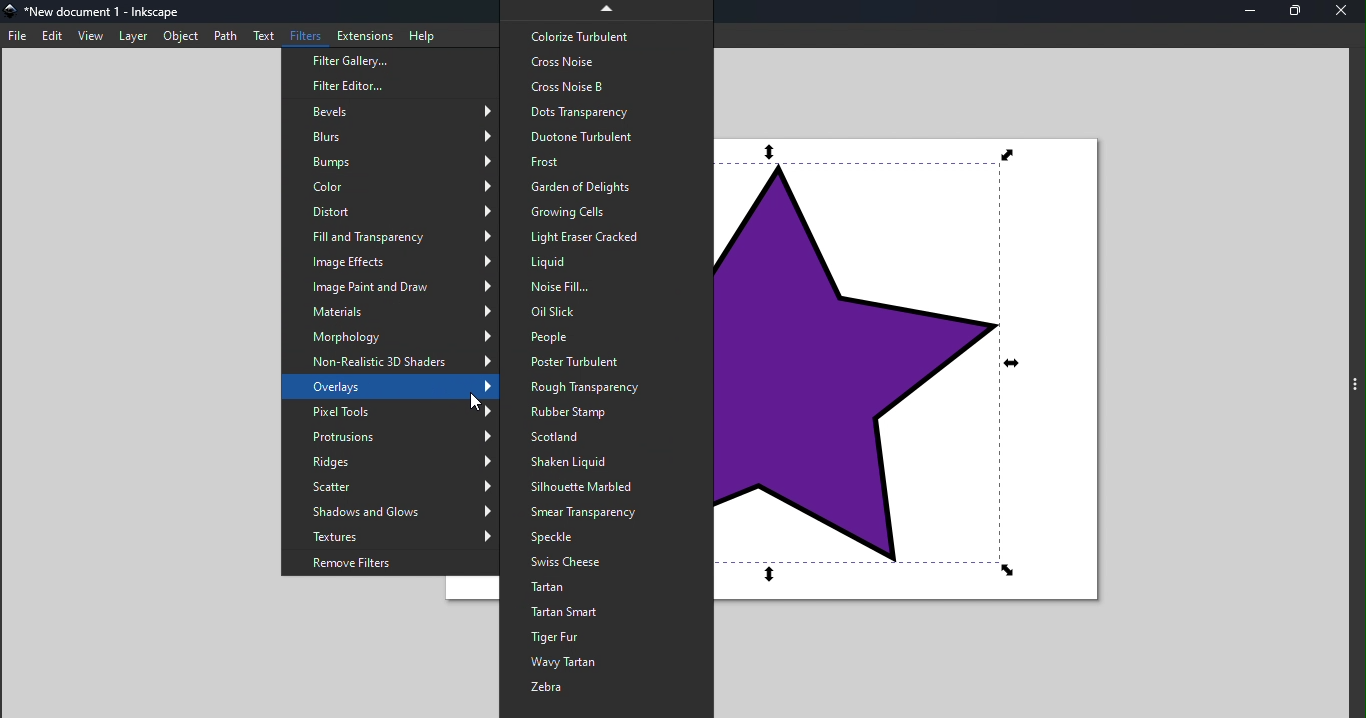 This screenshot has width=1366, height=718. What do you see at coordinates (131, 36) in the screenshot?
I see `Layer` at bounding box center [131, 36].